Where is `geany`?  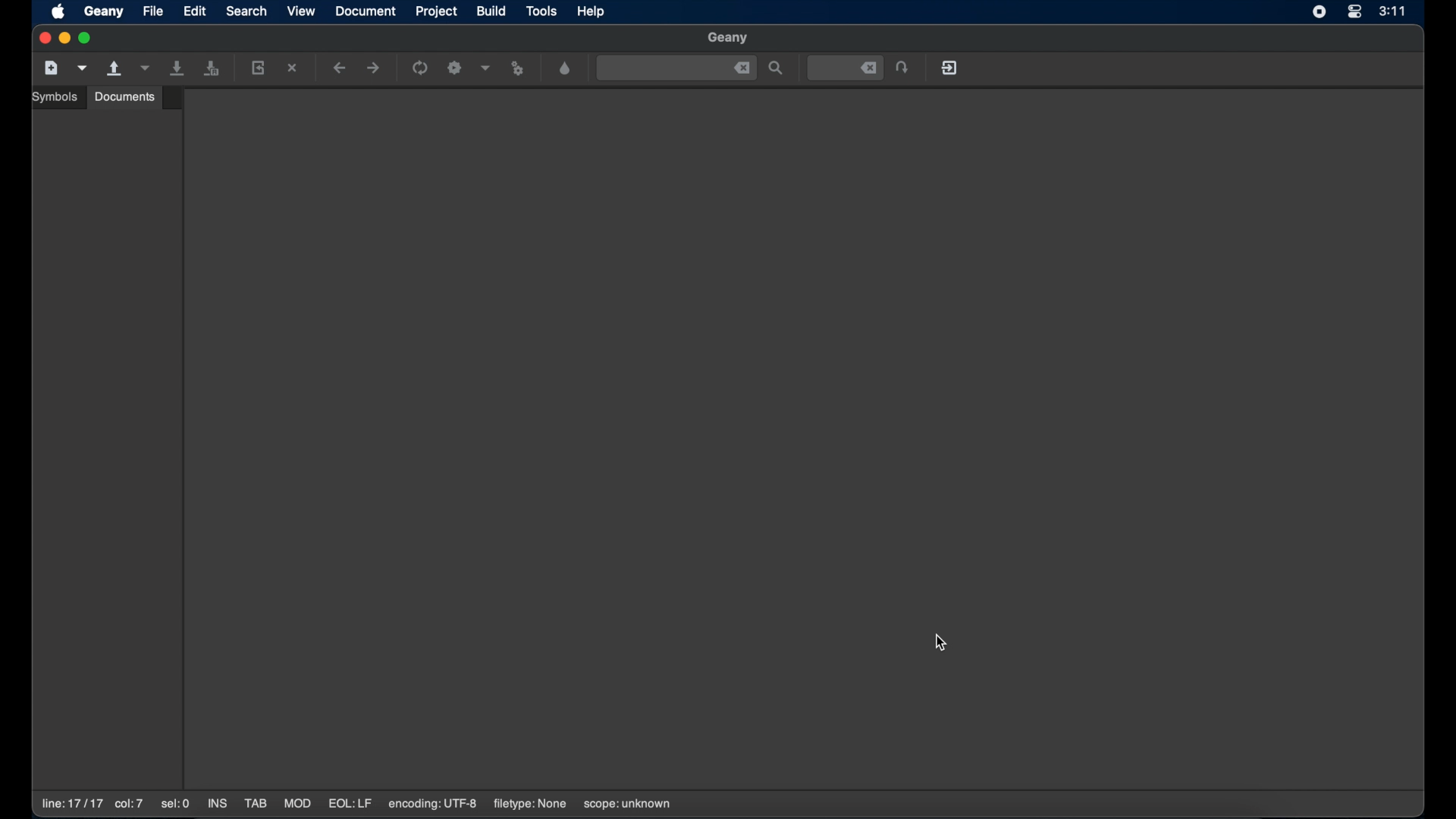
geany is located at coordinates (729, 39).